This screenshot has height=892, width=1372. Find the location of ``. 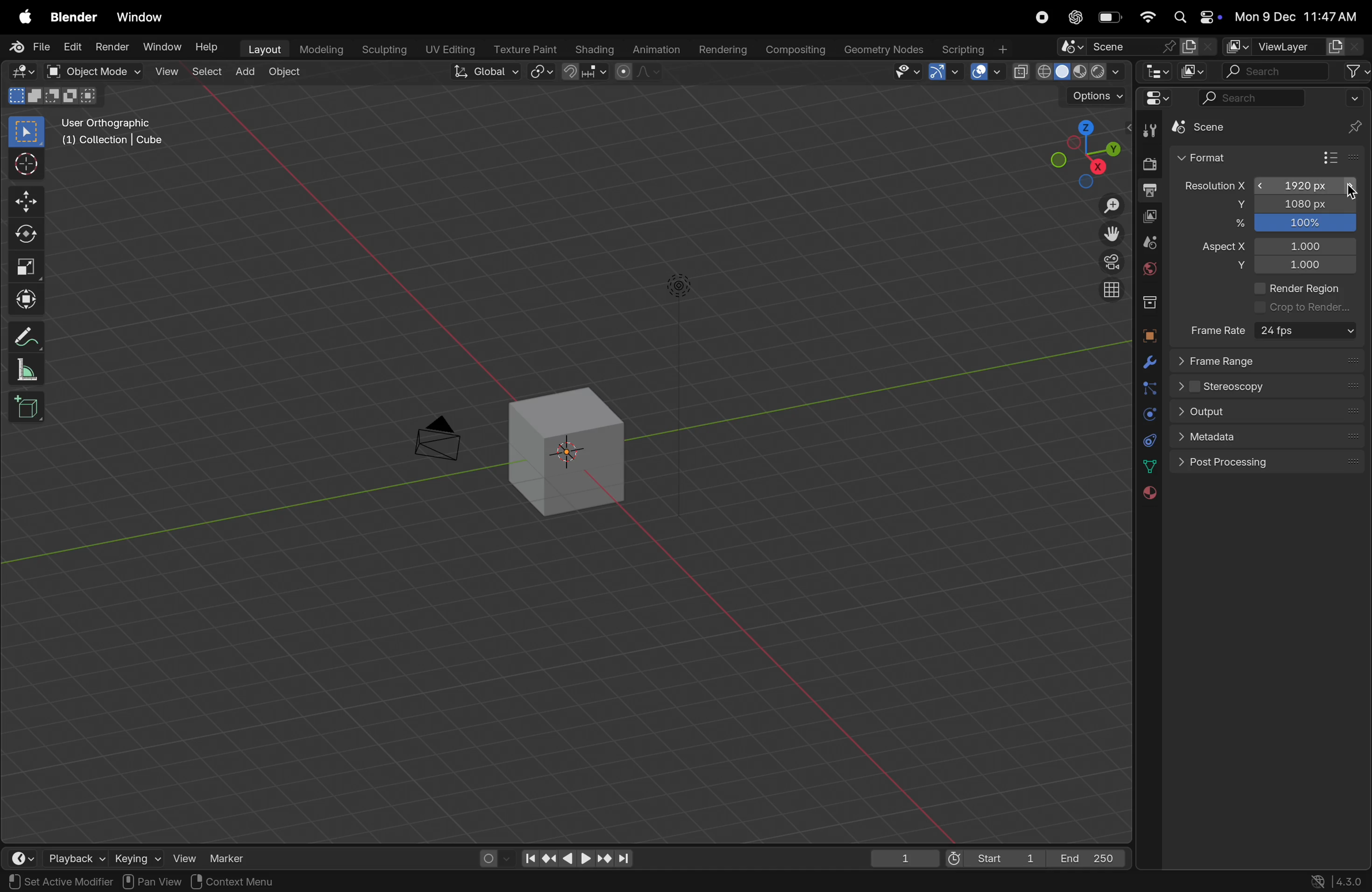

 is located at coordinates (485, 73).